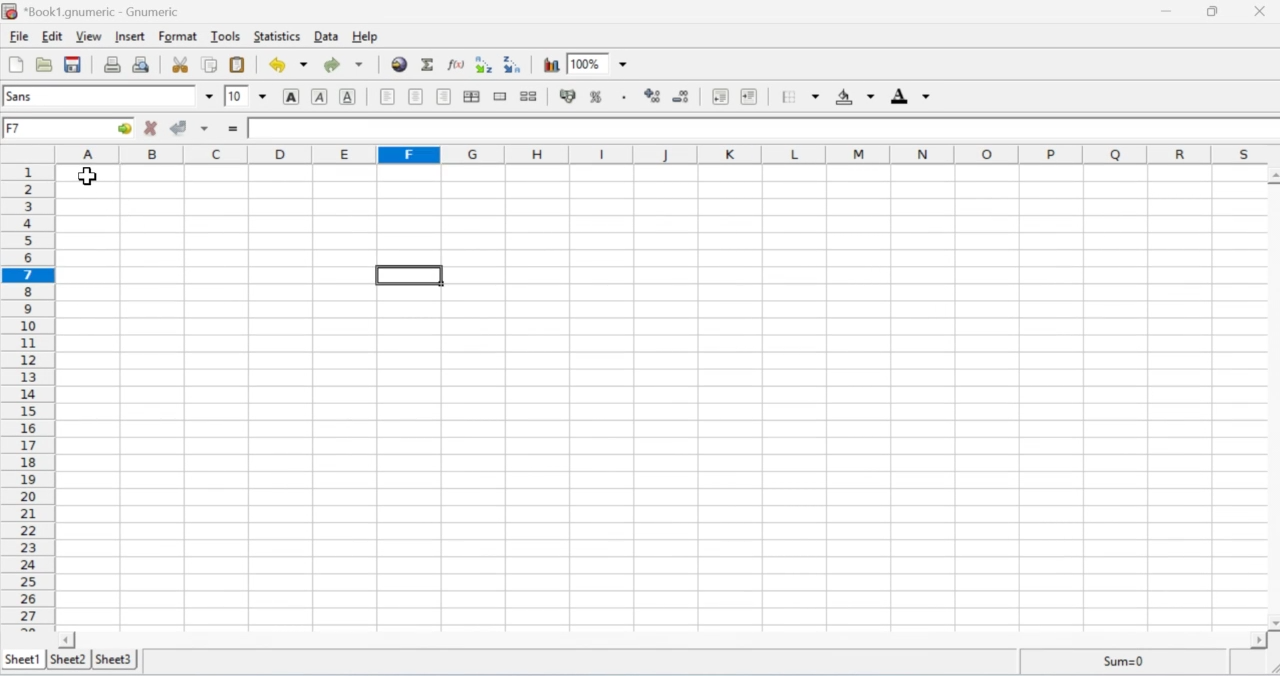 Image resolution: width=1280 pixels, height=676 pixels. Describe the element at coordinates (430, 66) in the screenshot. I see `Sum into the current cell` at that location.